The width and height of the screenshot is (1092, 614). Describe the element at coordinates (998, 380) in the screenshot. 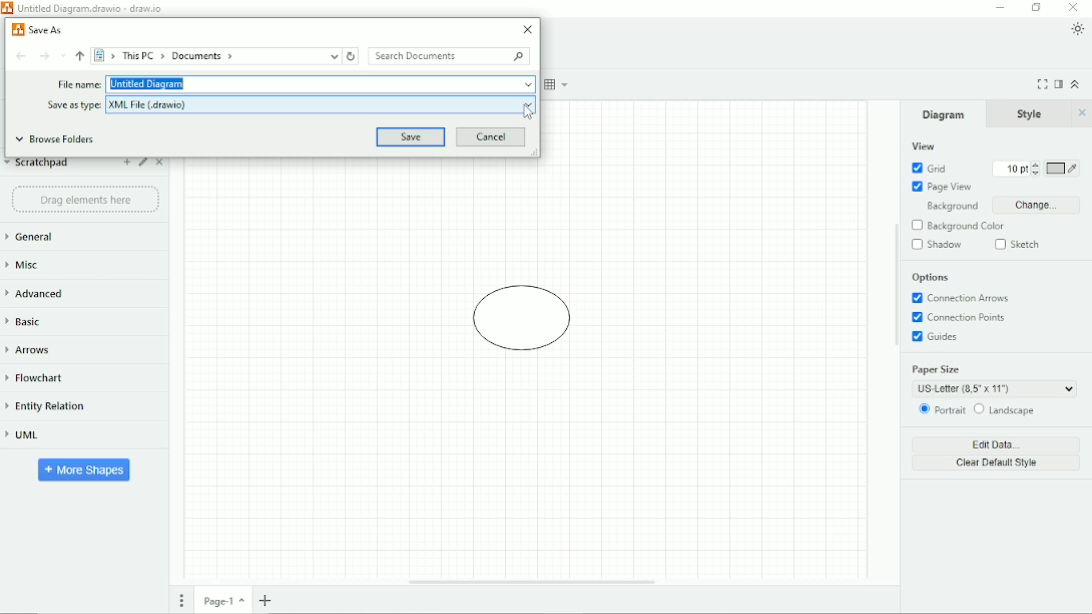

I see `Paper Size: US Letter (8.5' x 11')` at that location.